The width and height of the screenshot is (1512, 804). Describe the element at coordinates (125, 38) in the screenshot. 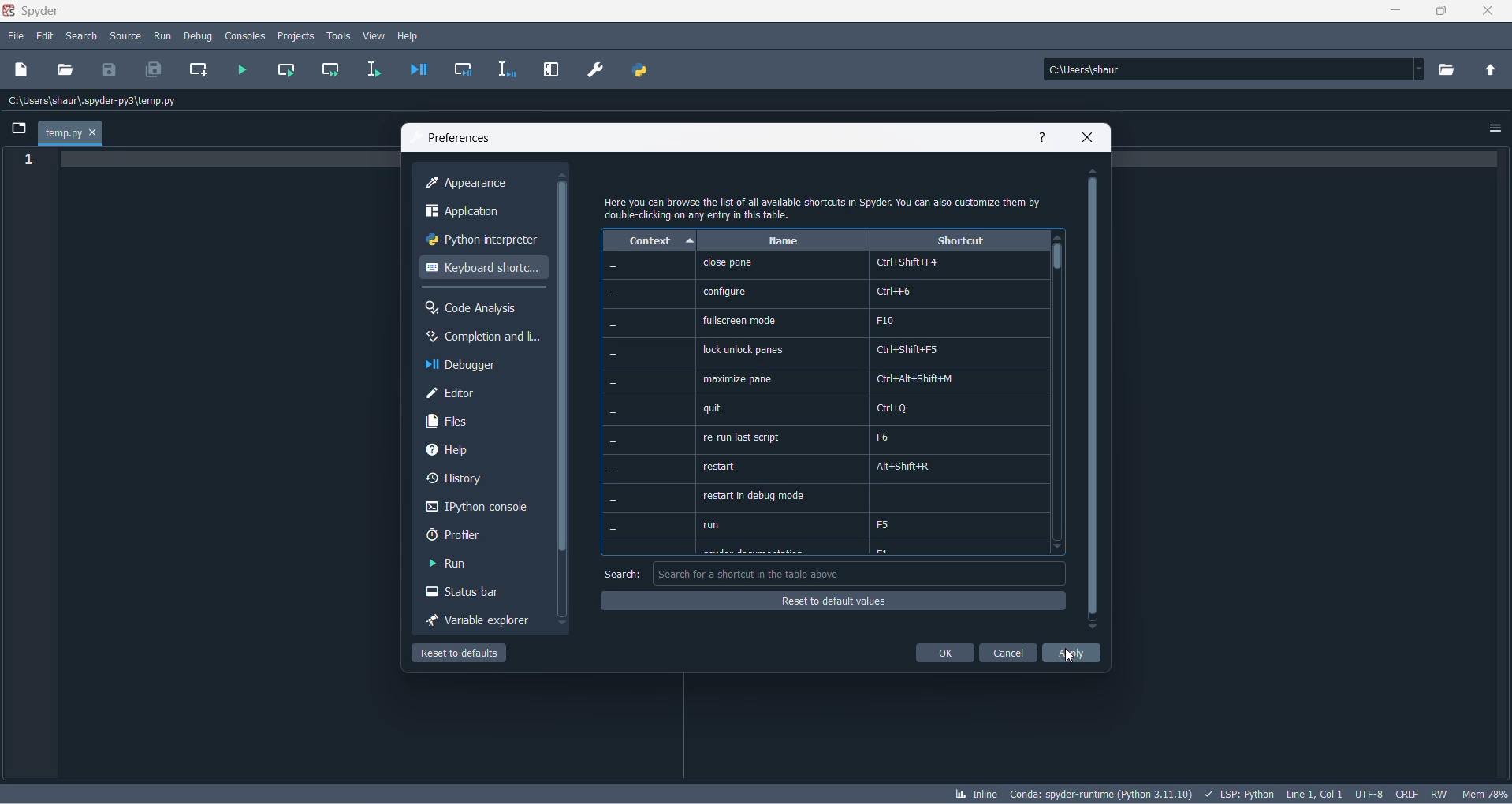

I see `source` at that location.